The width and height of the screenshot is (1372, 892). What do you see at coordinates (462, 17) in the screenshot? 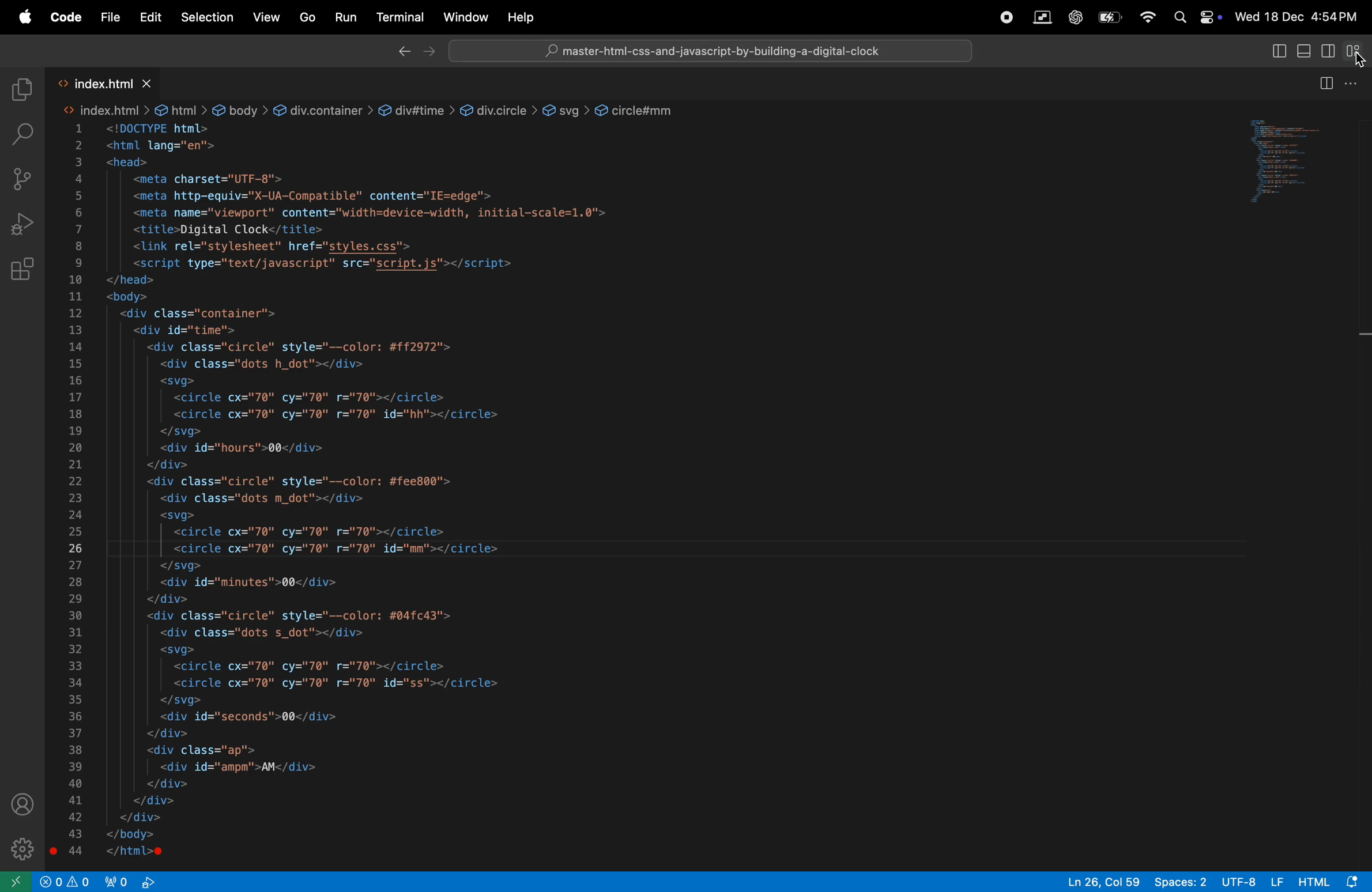
I see `Window` at bounding box center [462, 17].